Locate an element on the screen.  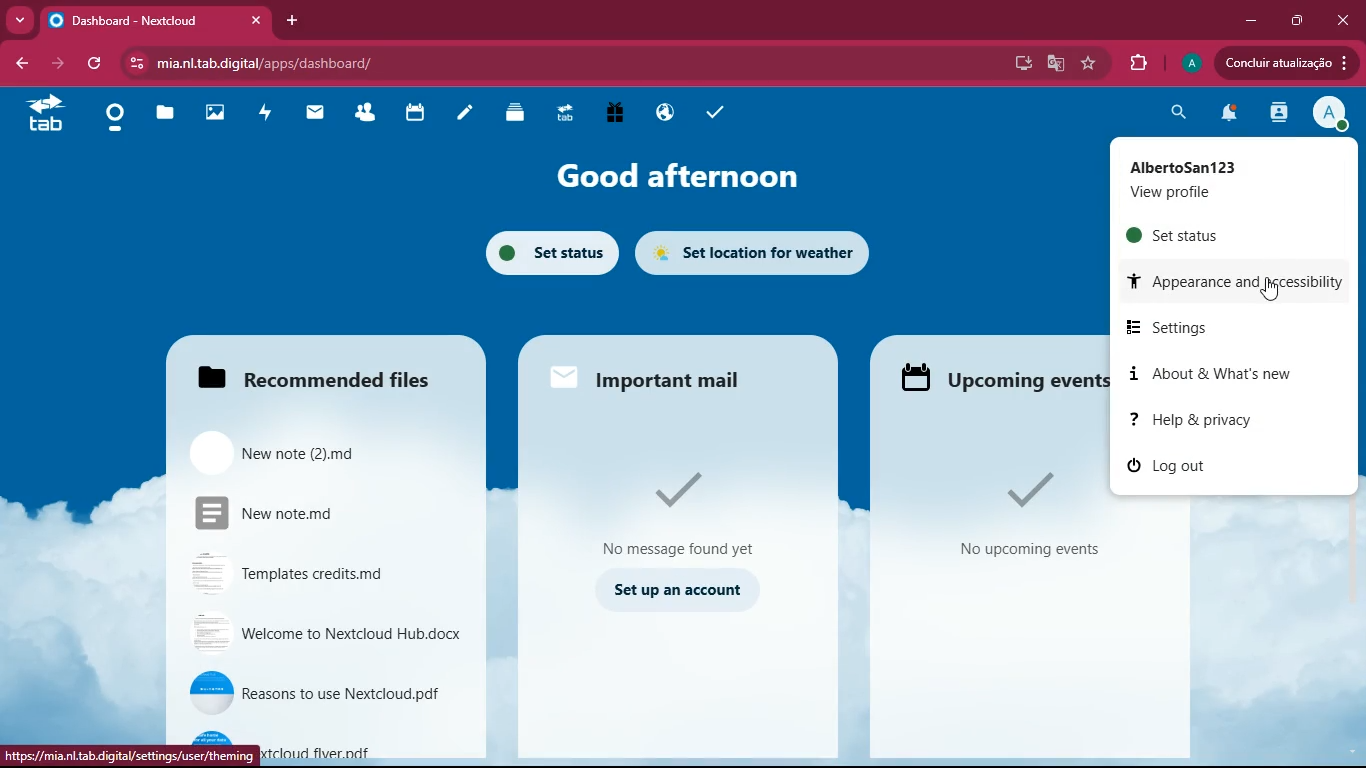
mia.nl.tab.digital/apps/dashboard/ is located at coordinates (265, 65).